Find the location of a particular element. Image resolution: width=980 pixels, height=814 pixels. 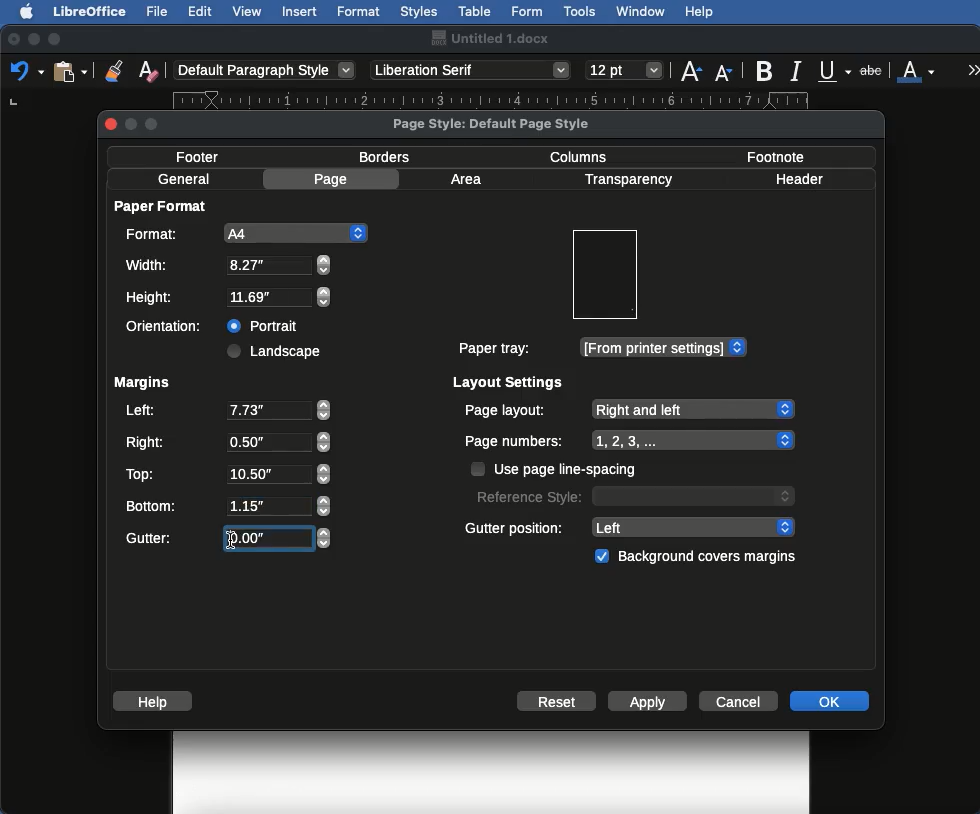

Help is located at coordinates (699, 12).